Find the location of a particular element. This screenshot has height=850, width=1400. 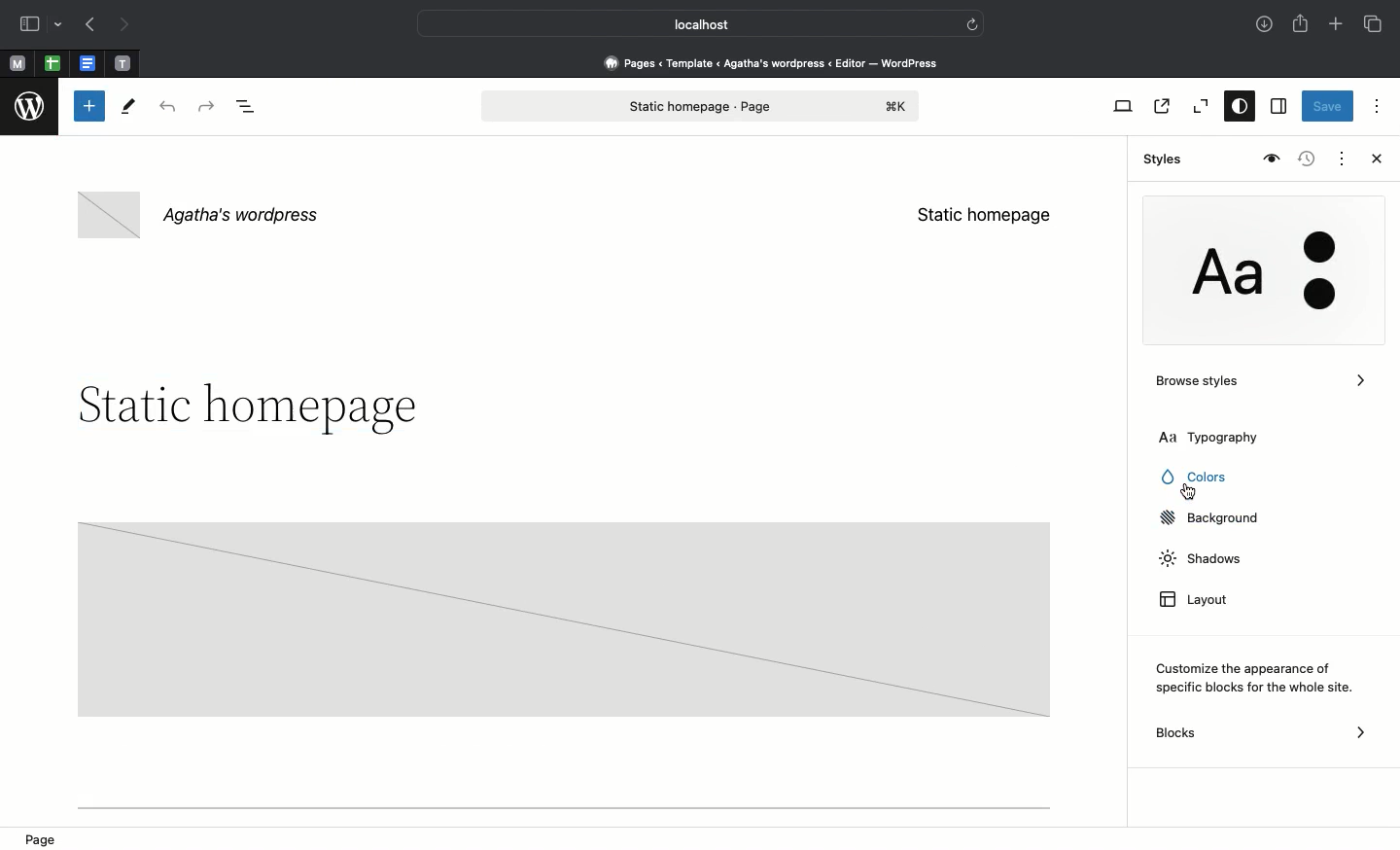

Typography is located at coordinates (1233, 437).